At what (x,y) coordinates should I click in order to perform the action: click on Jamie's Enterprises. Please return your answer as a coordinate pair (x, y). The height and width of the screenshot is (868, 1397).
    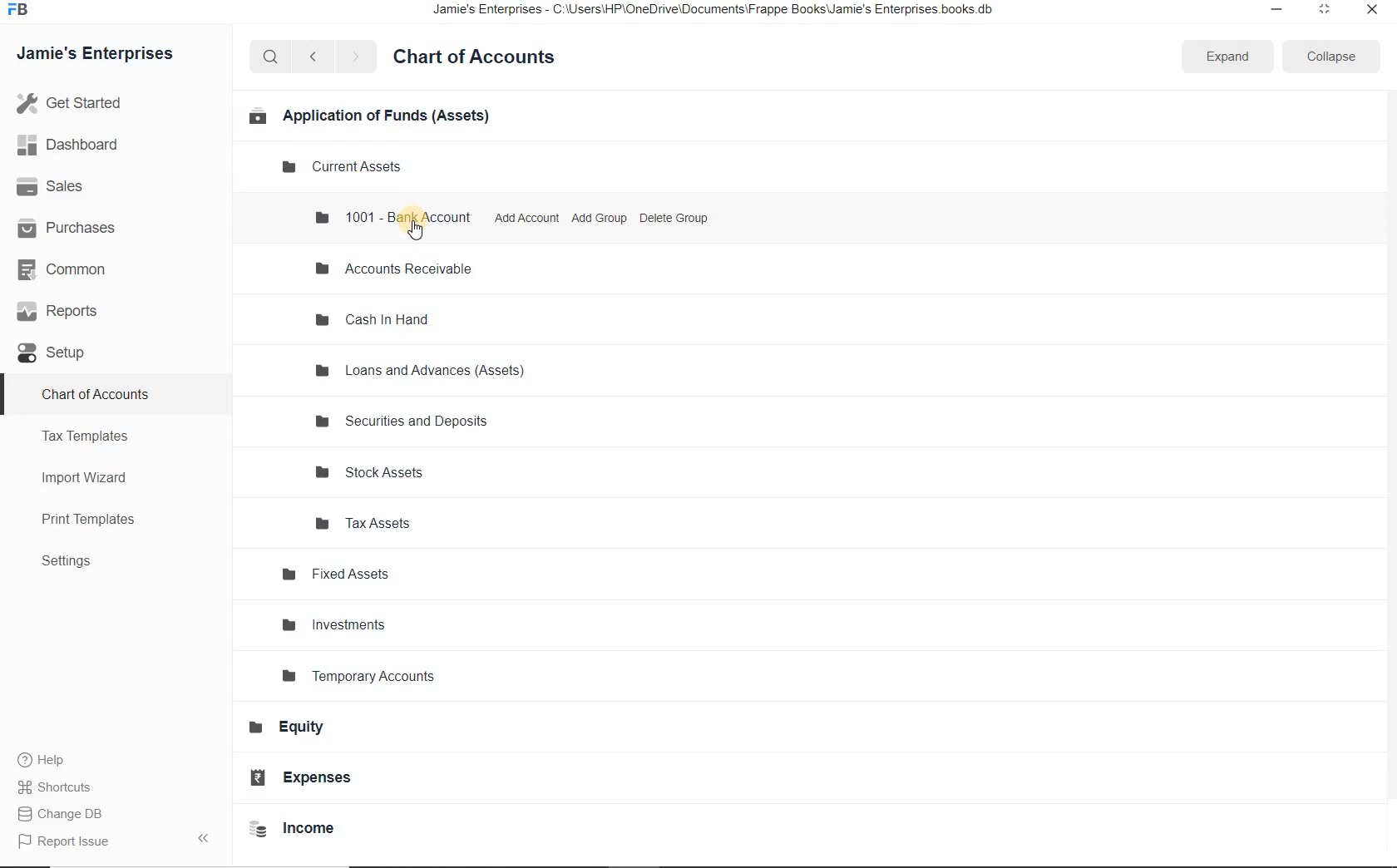
    Looking at the image, I should click on (101, 55).